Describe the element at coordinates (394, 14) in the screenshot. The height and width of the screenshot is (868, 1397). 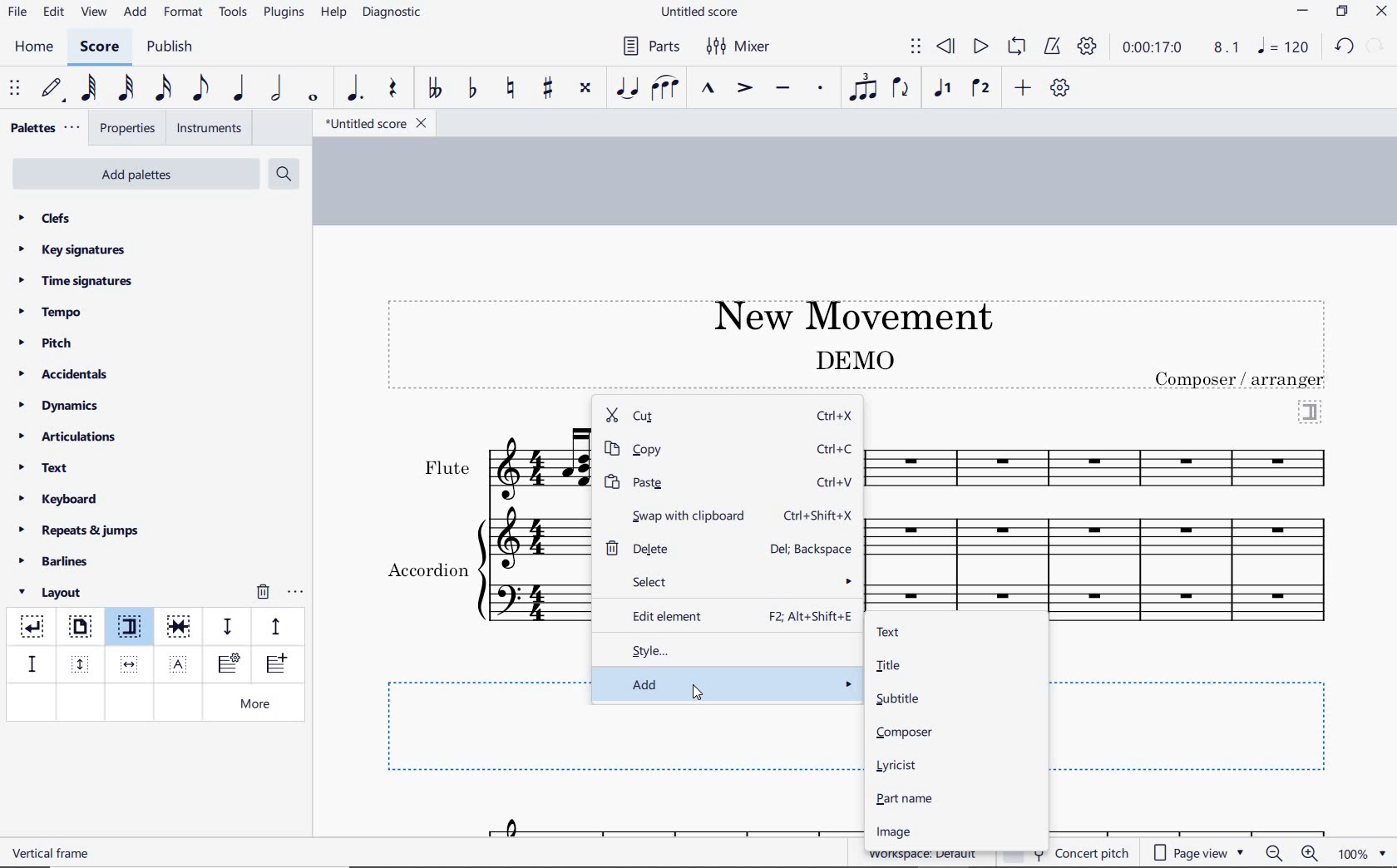
I see `diagnostic` at that location.